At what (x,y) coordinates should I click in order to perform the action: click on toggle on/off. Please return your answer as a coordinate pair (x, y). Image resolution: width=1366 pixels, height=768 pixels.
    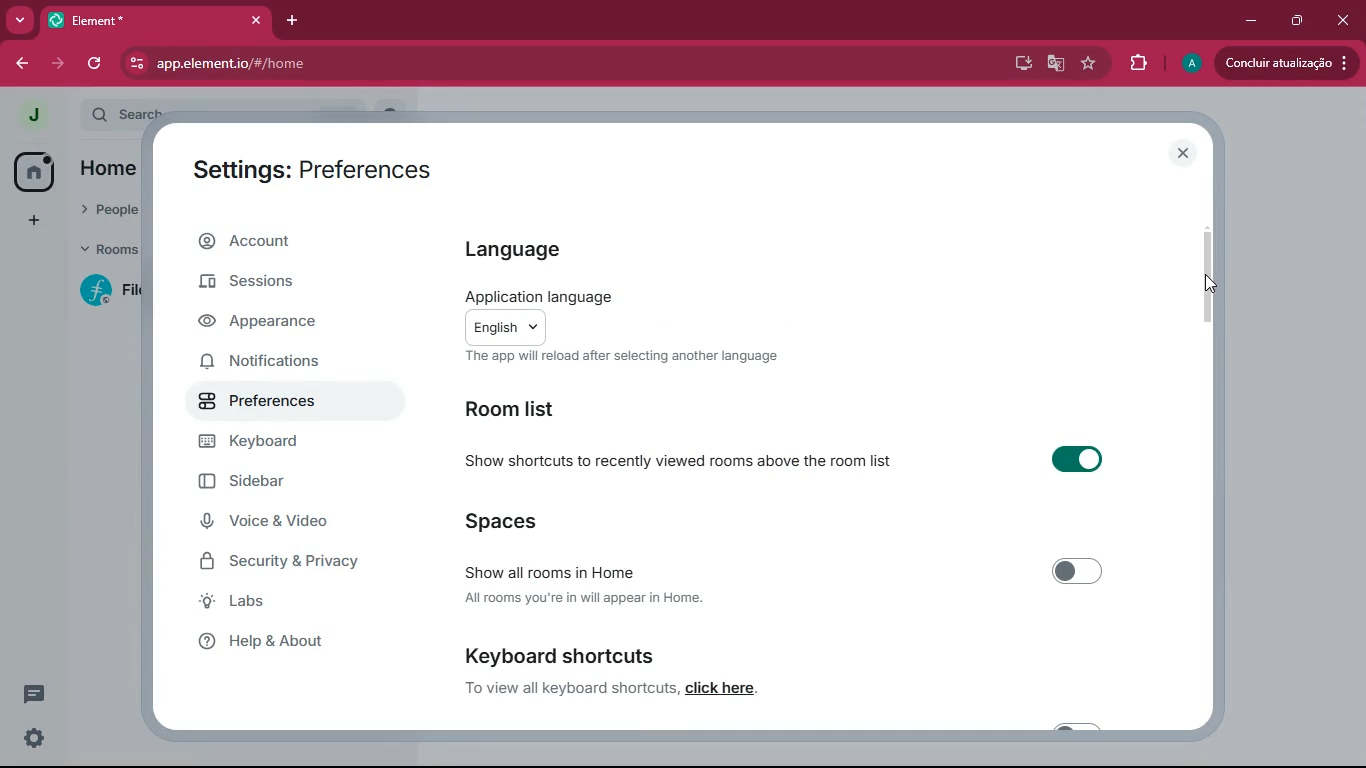
    Looking at the image, I should click on (1076, 459).